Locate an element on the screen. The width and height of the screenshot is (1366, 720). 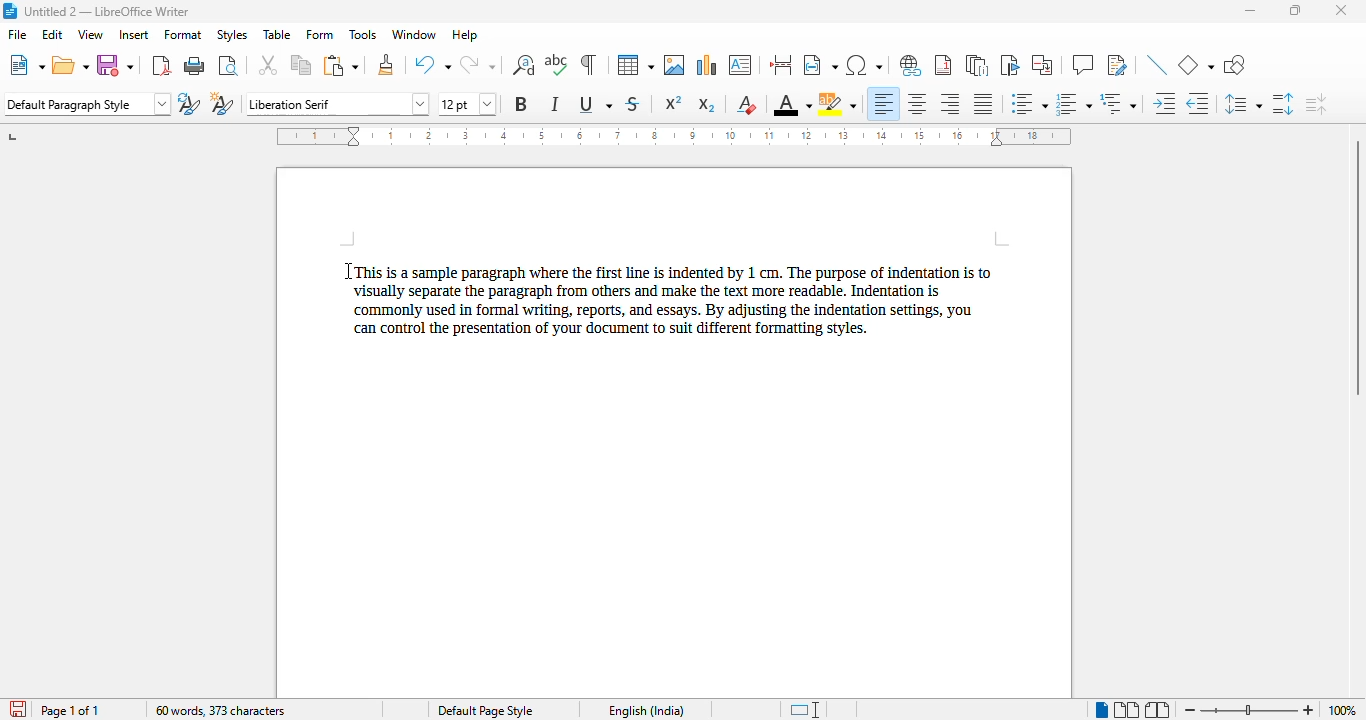
set line spacing is located at coordinates (1241, 103).